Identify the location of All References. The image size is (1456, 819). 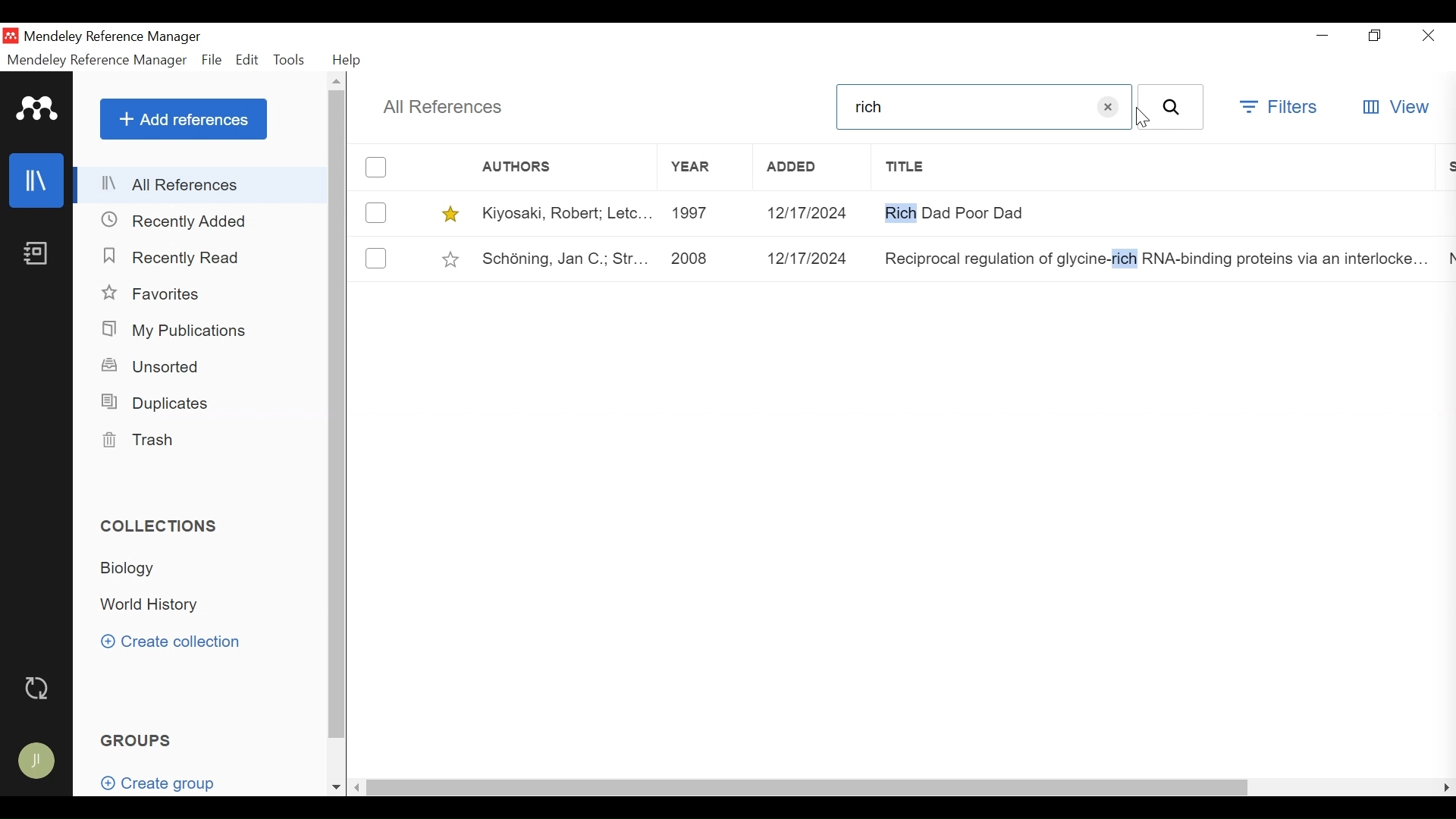
(202, 183).